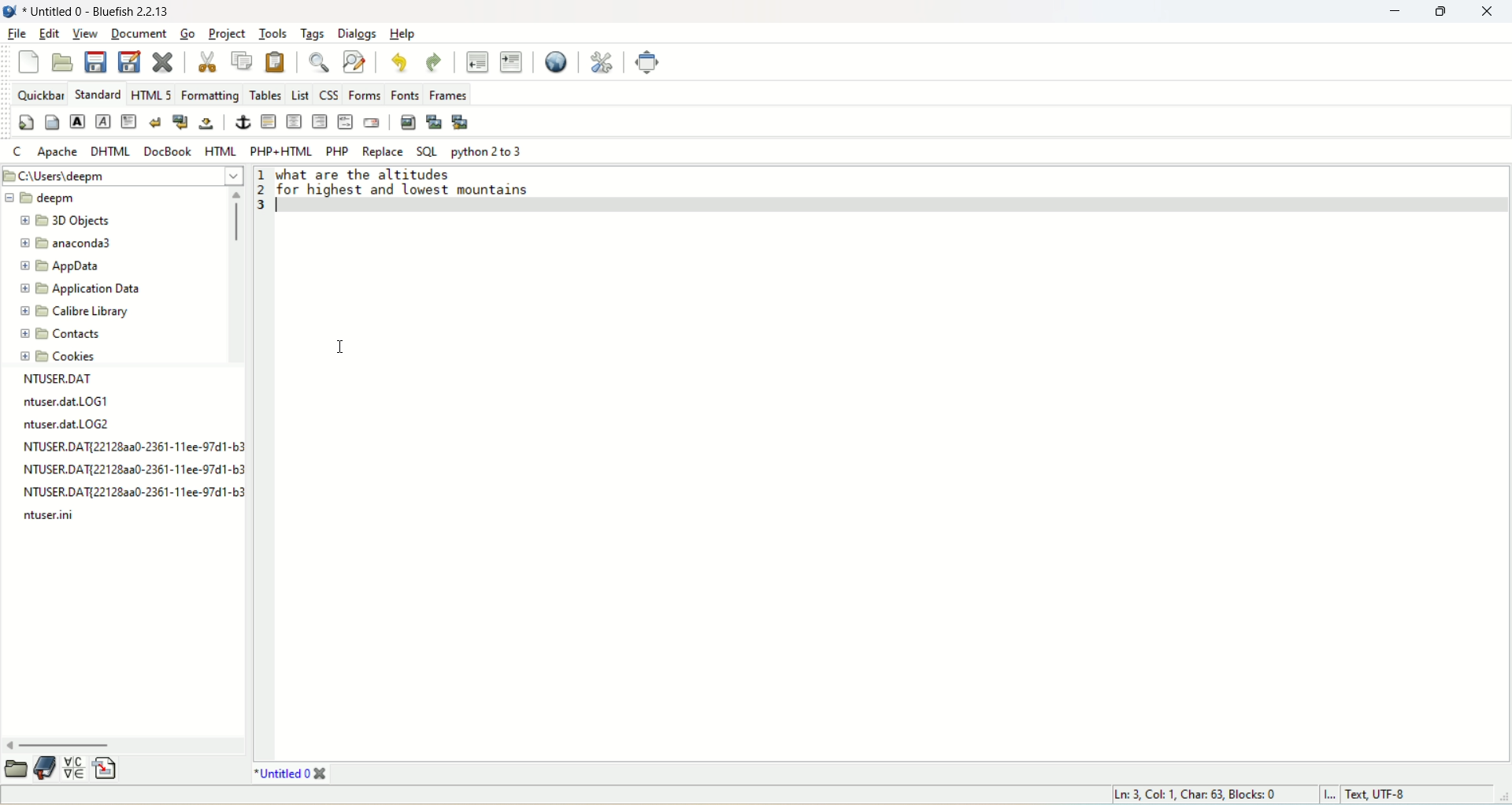 The image size is (1512, 805). I want to click on contacts, so click(61, 335).